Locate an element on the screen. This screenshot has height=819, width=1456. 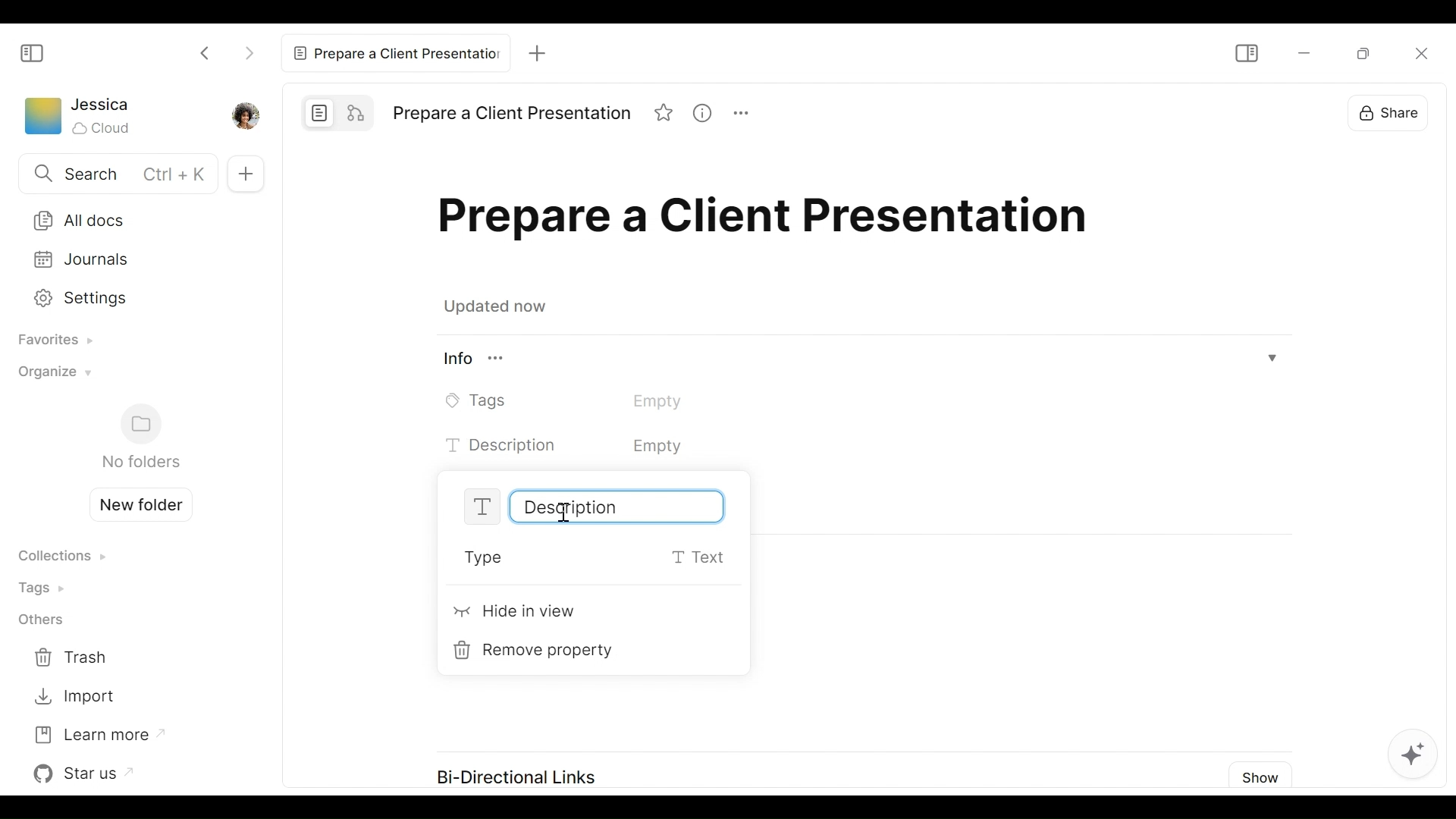
Create new folder is located at coordinates (135, 503).